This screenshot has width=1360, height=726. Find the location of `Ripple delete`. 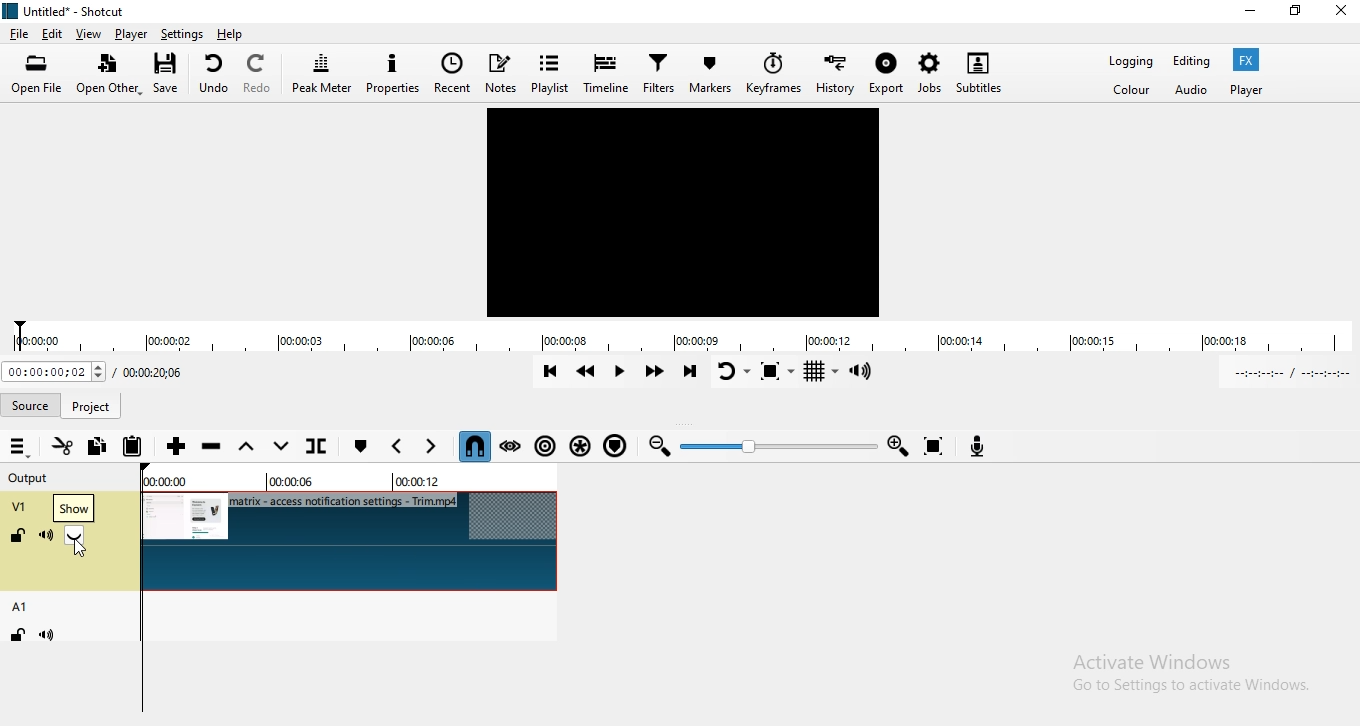

Ripple delete is located at coordinates (211, 448).